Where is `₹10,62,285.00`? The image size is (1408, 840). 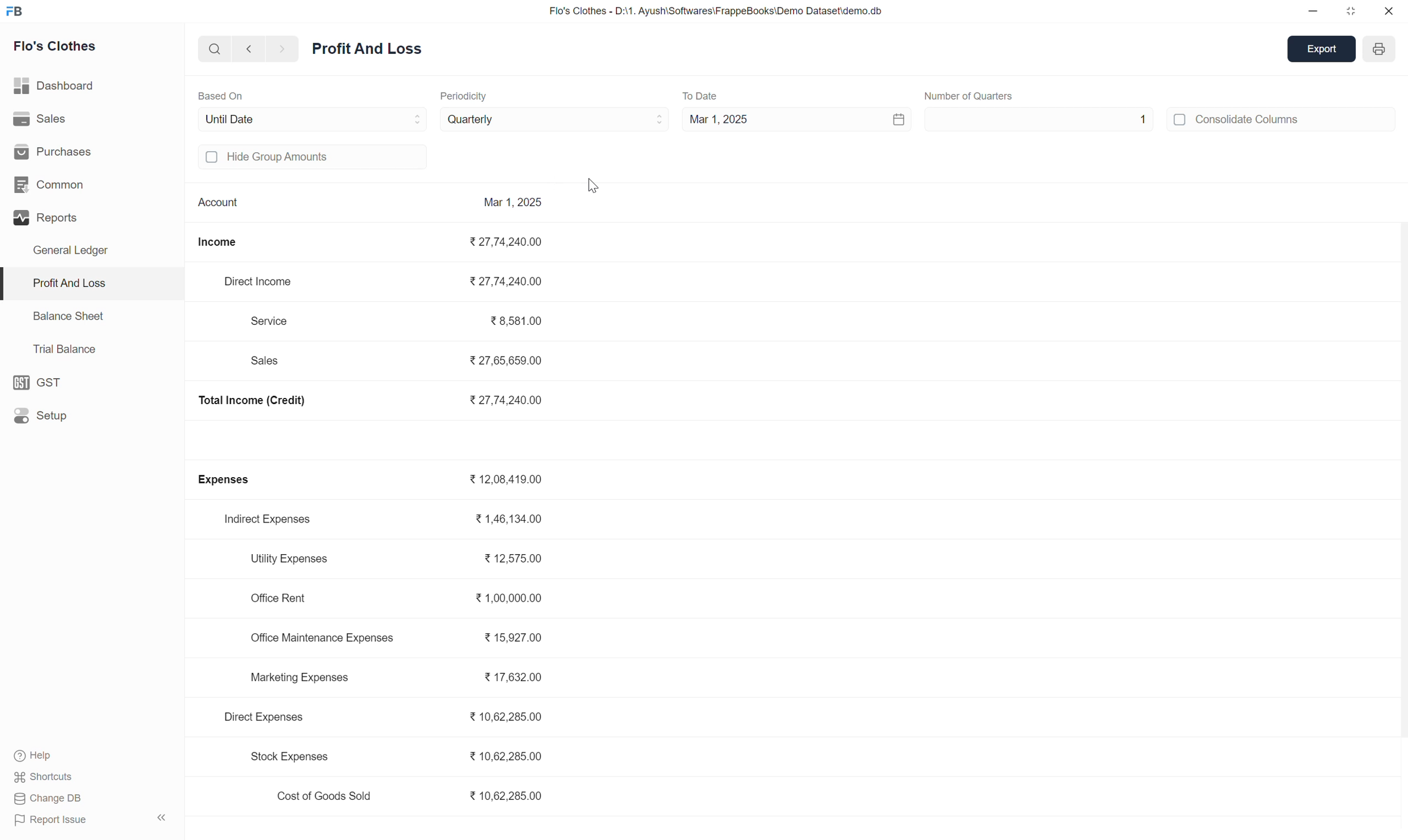
₹10,62,285.00 is located at coordinates (510, 718).